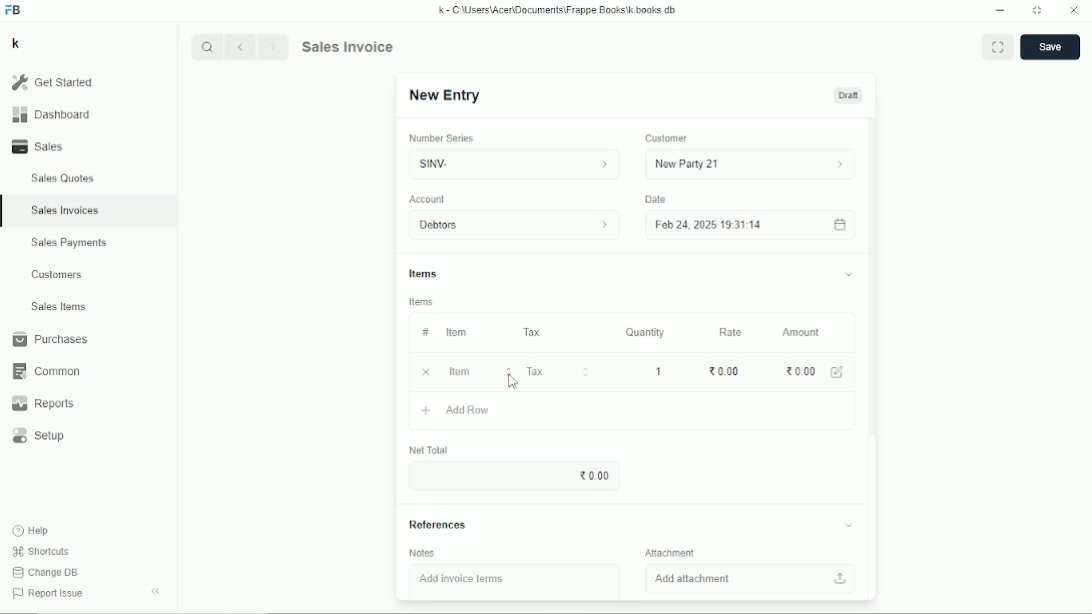  What do you see at coordinates (998, 46) in the screenshot?
I see `Toggle between form and full width` at bounding box center [998, 46].